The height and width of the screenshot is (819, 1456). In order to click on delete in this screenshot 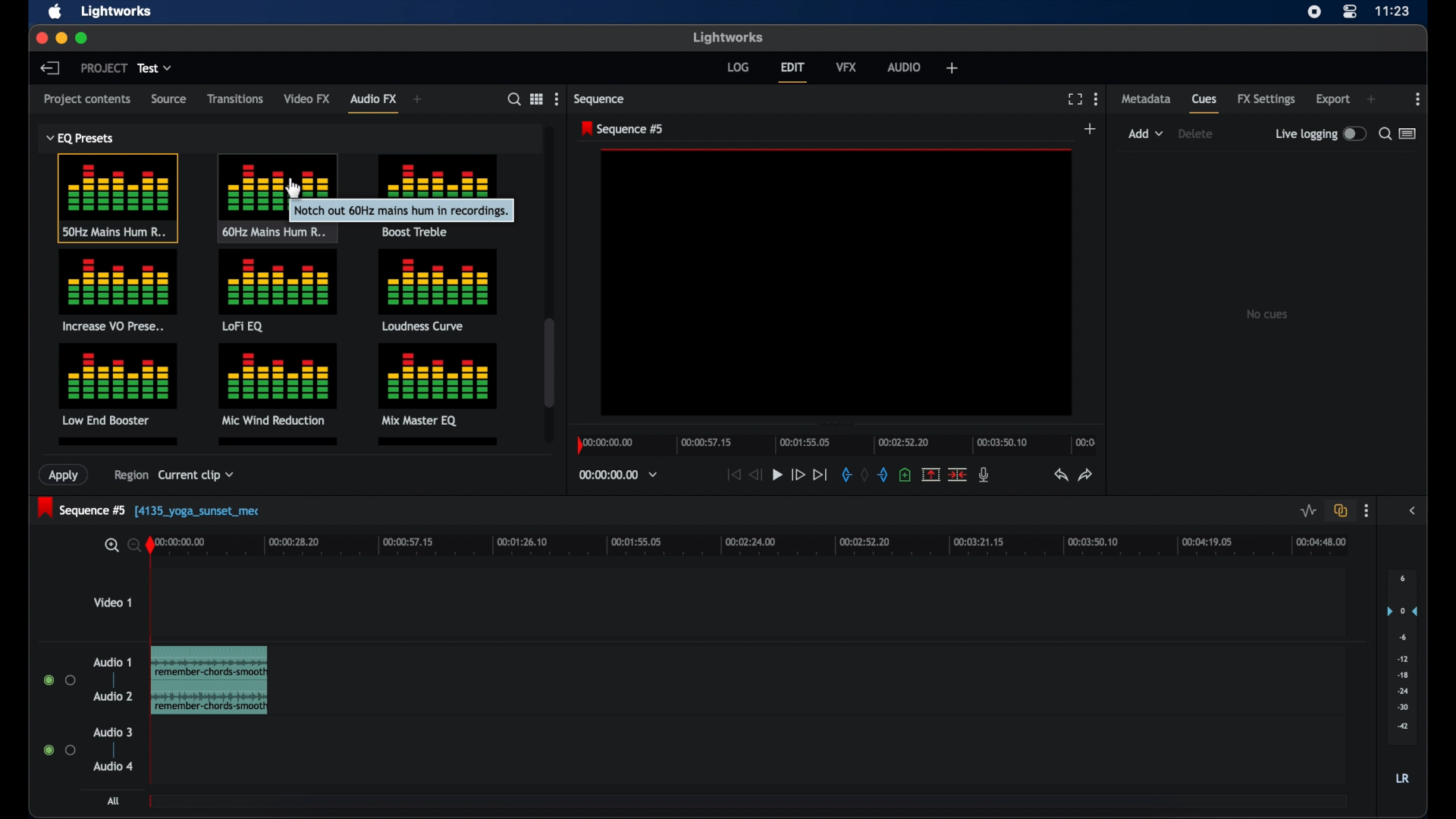, I will do `click(1195, 133)`.